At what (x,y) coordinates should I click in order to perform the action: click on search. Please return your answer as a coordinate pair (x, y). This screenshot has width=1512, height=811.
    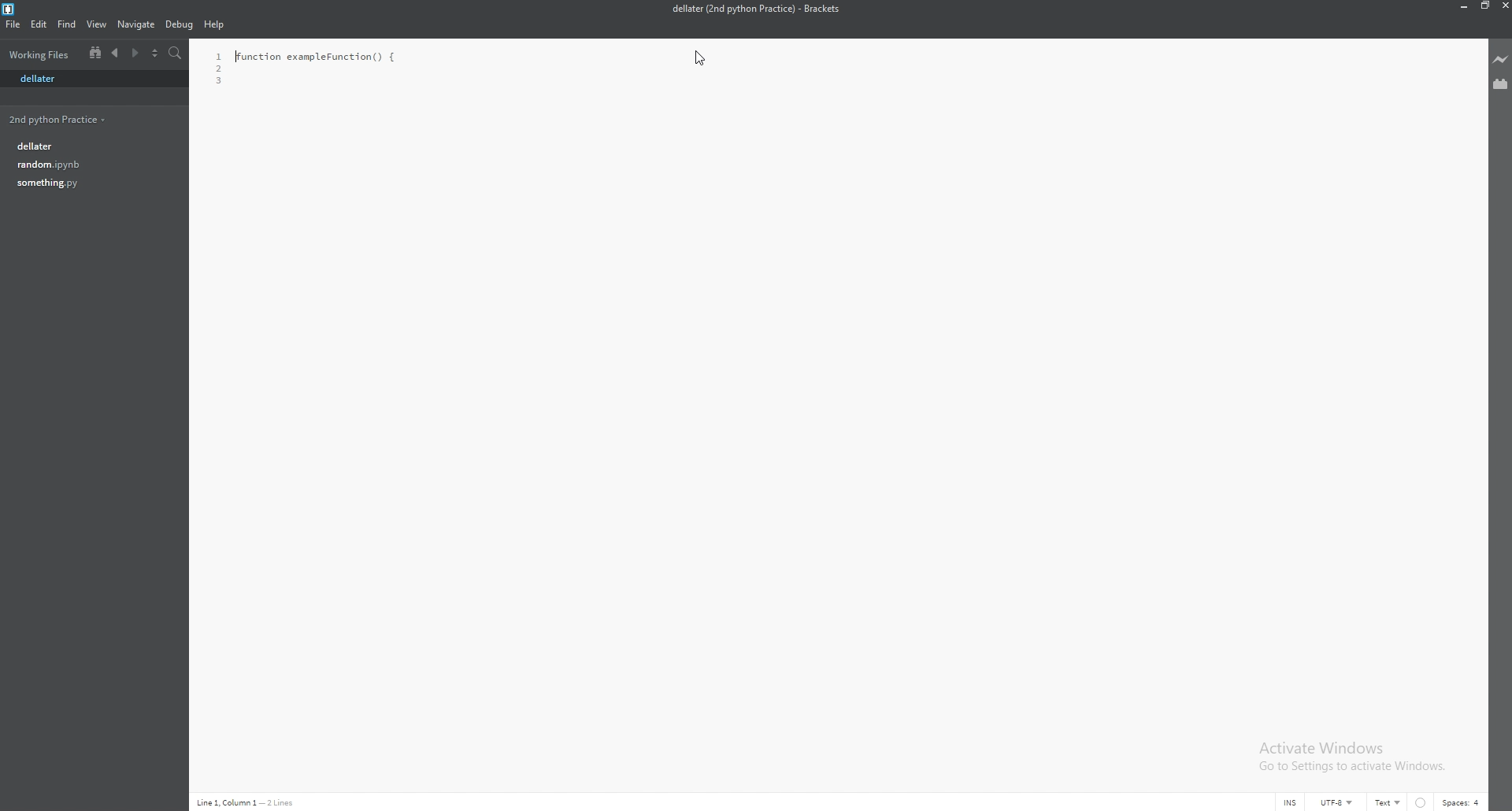
    Looking at the image, I should click on (176, 54).